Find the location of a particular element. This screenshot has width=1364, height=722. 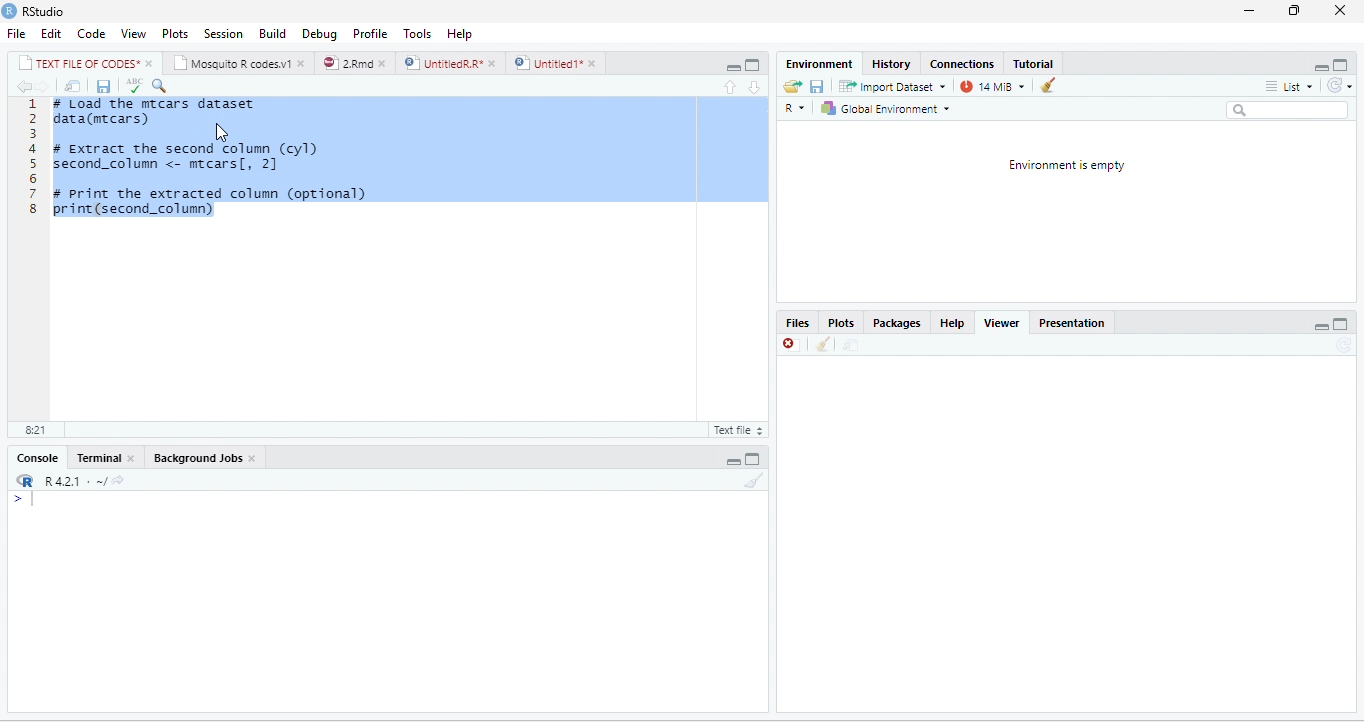

search is located at coordinates (1288, 109).